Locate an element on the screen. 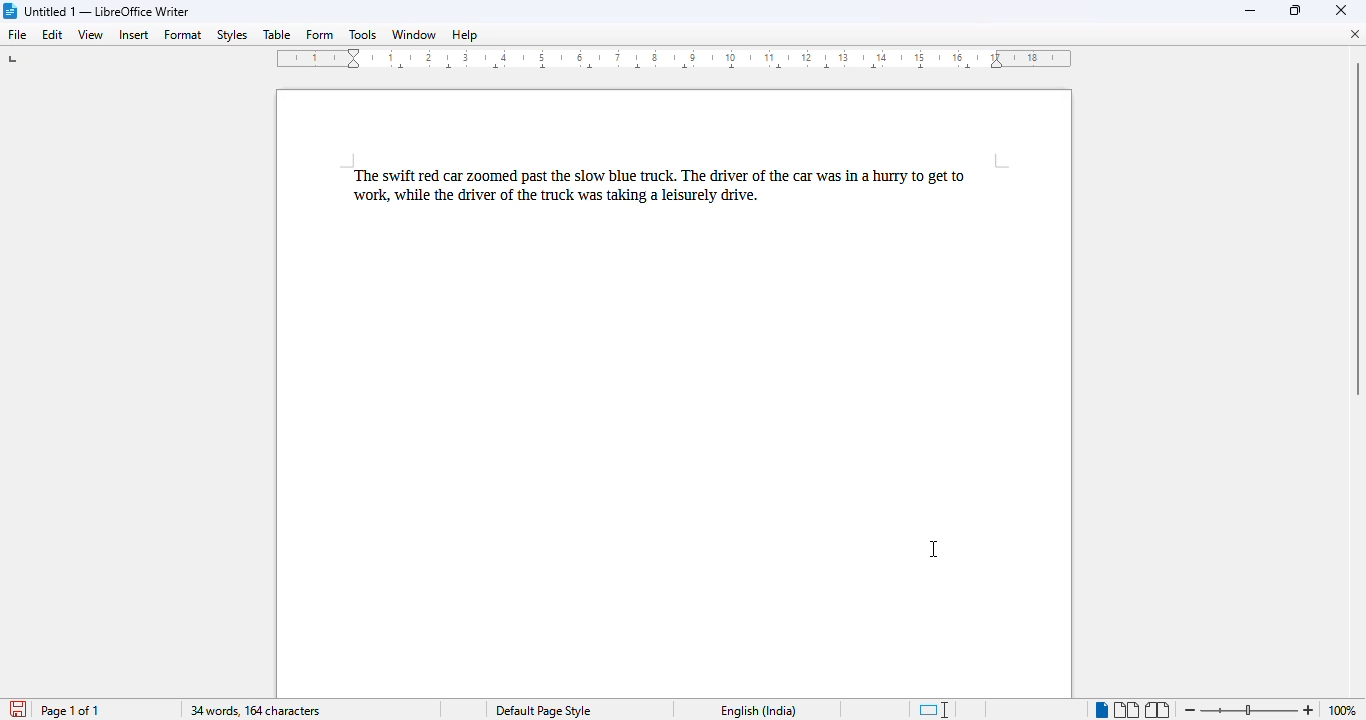  edit is located at coordinates (53, 34).